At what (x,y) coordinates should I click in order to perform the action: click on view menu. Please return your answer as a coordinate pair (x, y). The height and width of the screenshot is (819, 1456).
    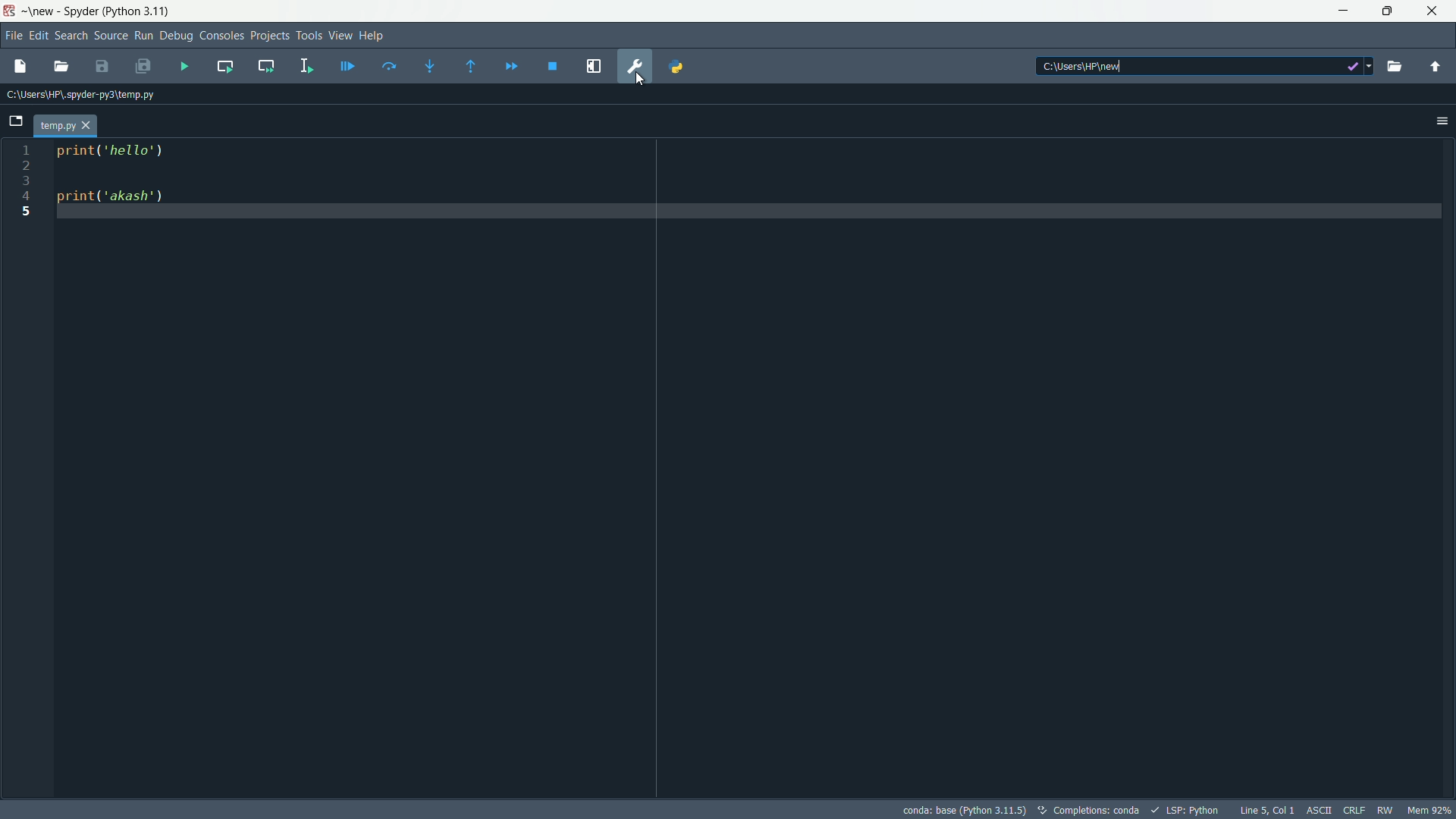
    Looking at the image, I should click on (340, 35).